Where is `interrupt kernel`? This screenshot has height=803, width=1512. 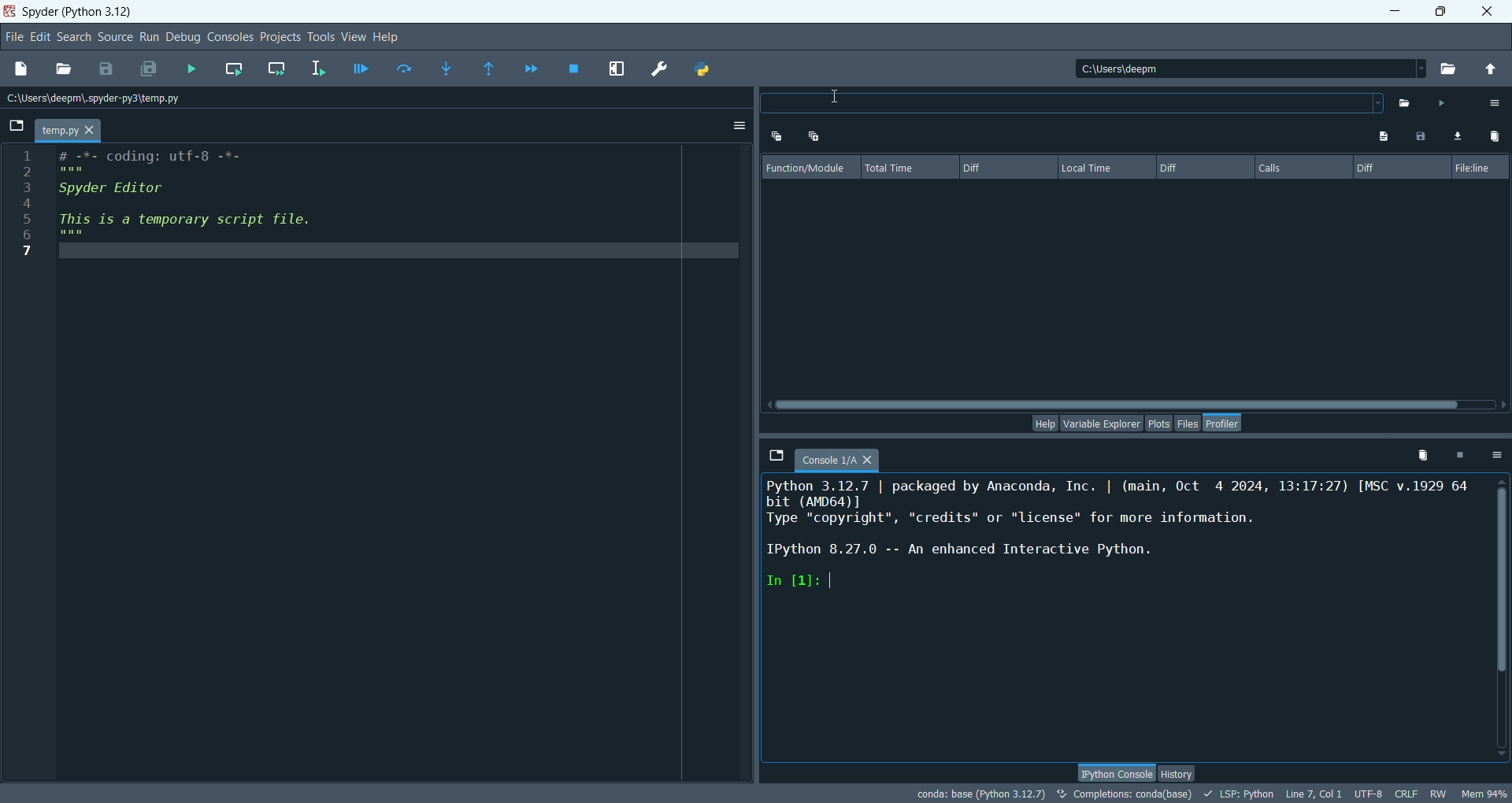
interrupt kernel is located at coordinates (1458, 455).